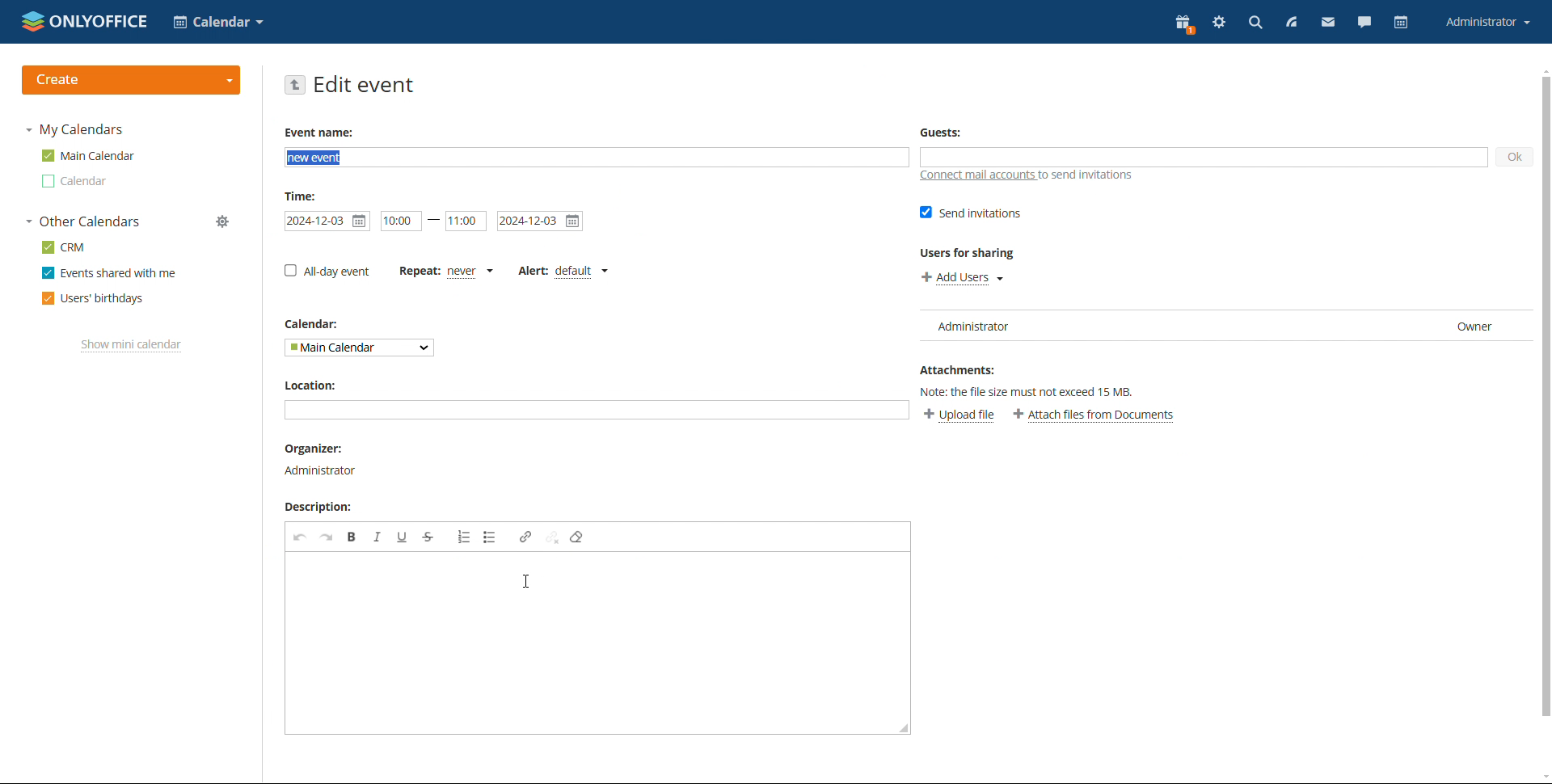  What do you see at coordinates (403, 537) in the screenshot?
I see `underline` at bounding box center [403, 537].